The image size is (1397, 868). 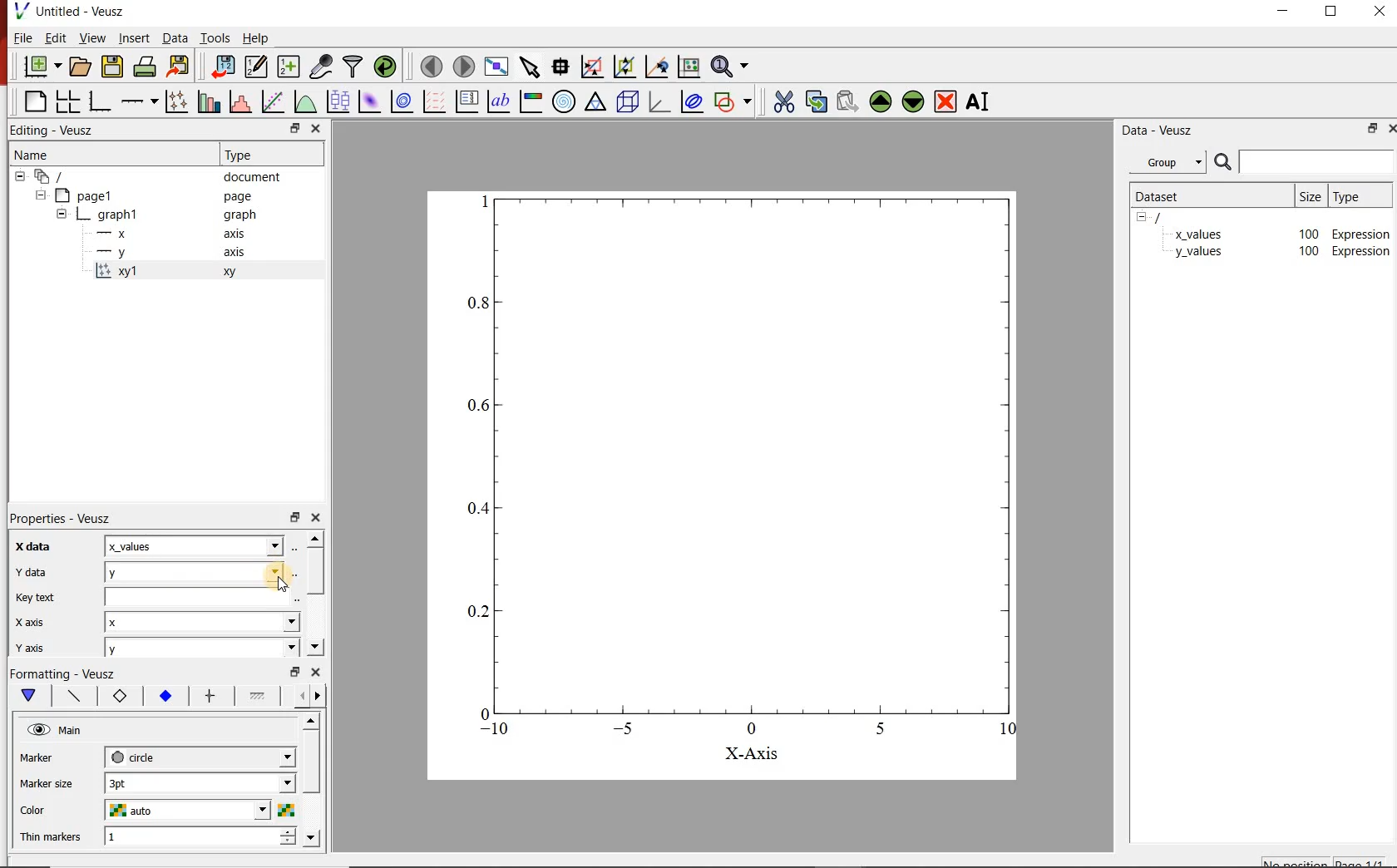 I want to click on cut the selected widget, so click(x=785, y=103).